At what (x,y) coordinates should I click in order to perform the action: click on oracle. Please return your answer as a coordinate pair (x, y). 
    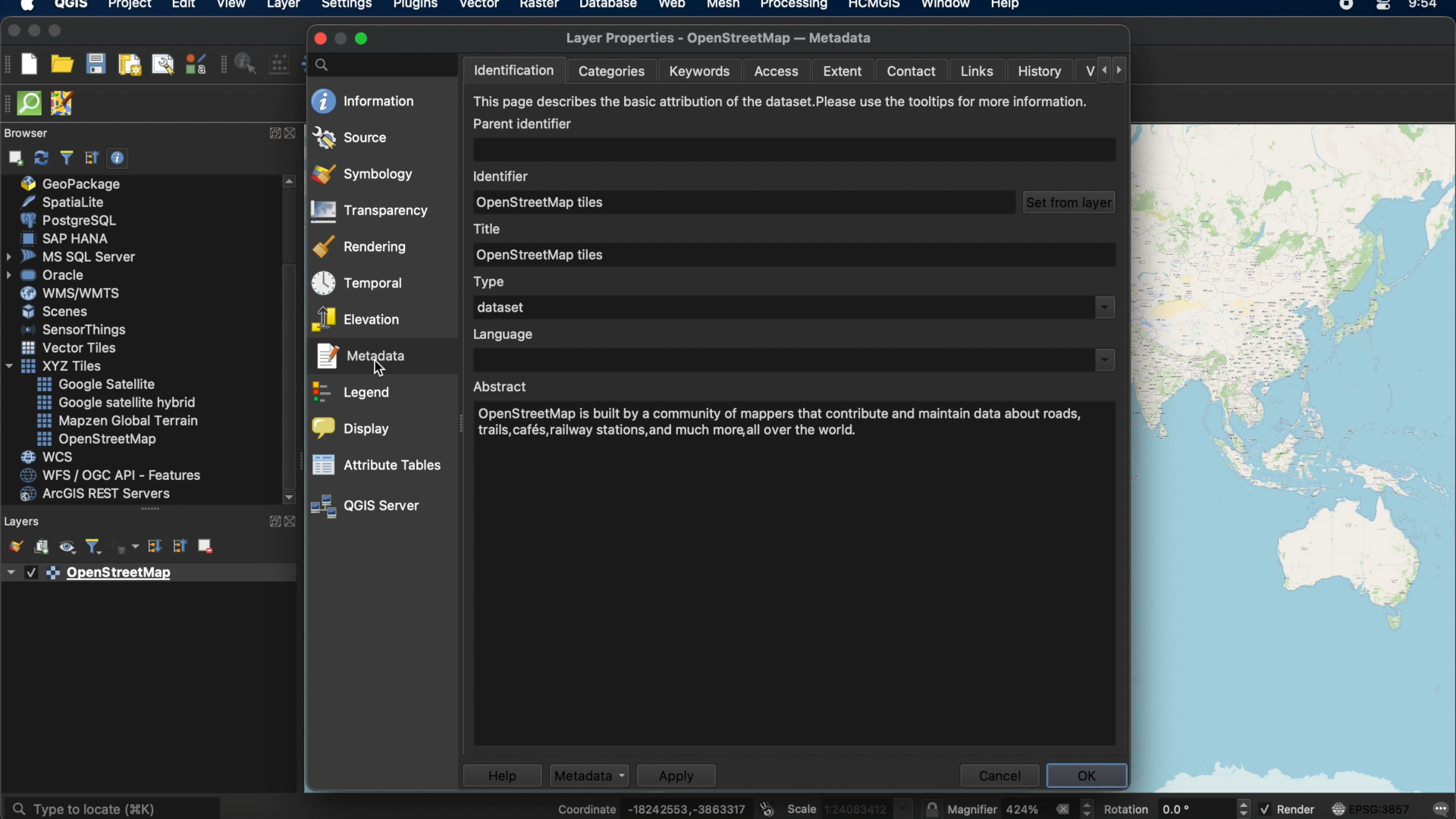
    Looking at the image, I should click on (52, 276).